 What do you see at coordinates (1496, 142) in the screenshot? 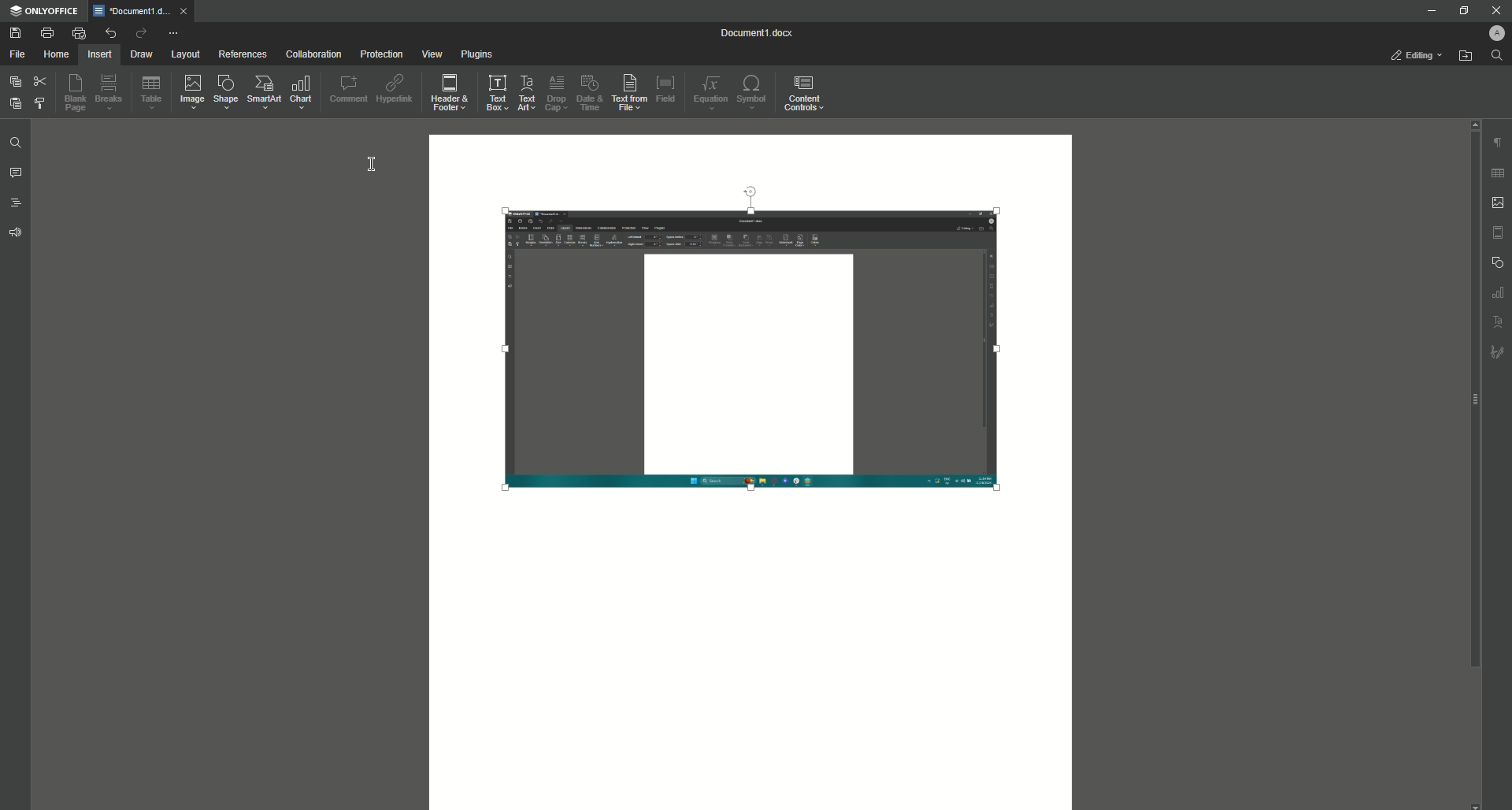
I see `Paragraph Settings` at bounding box center [1496, 142].